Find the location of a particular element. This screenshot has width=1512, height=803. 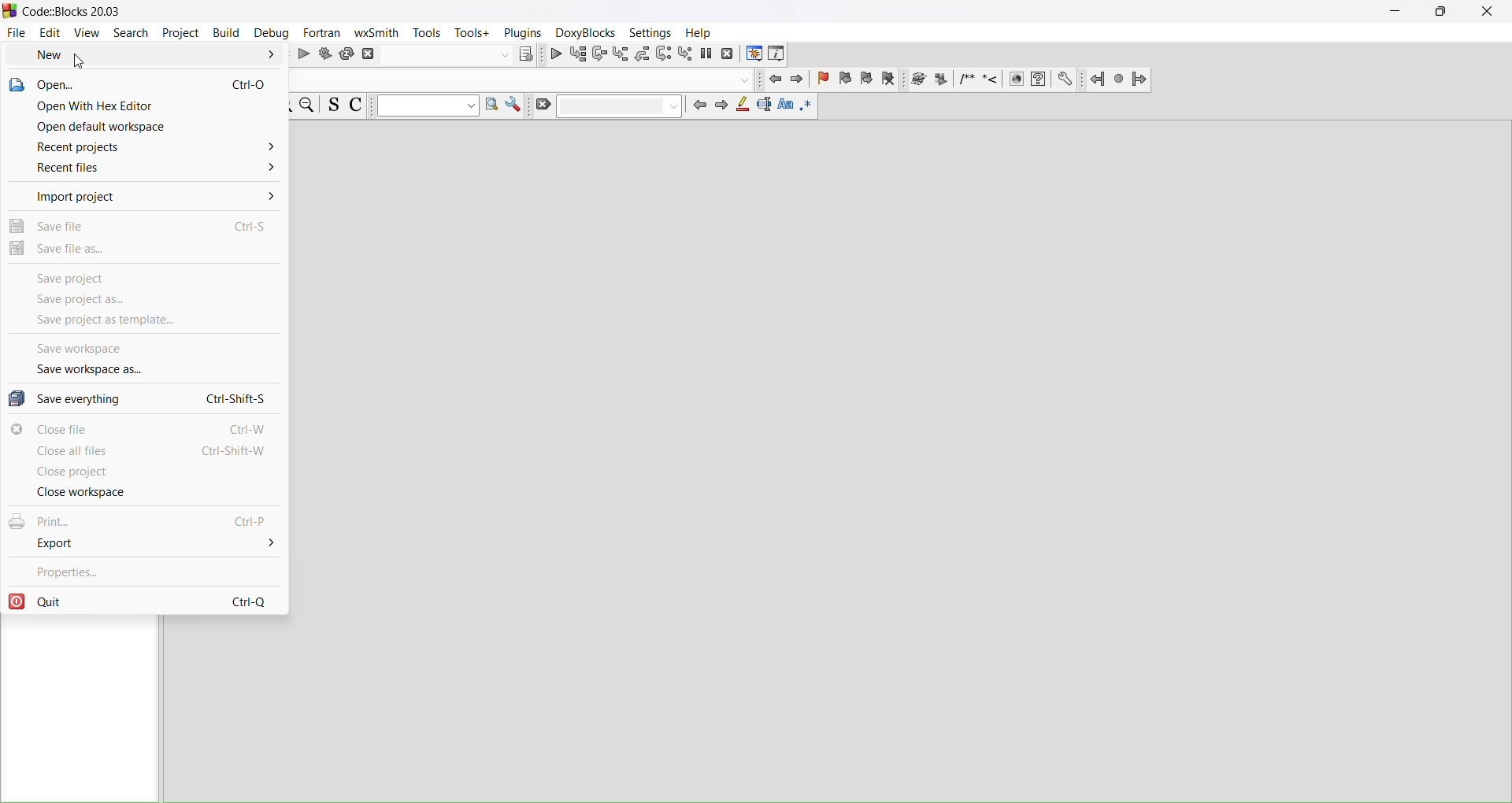

next instruction is located at coordinates (664, 54).